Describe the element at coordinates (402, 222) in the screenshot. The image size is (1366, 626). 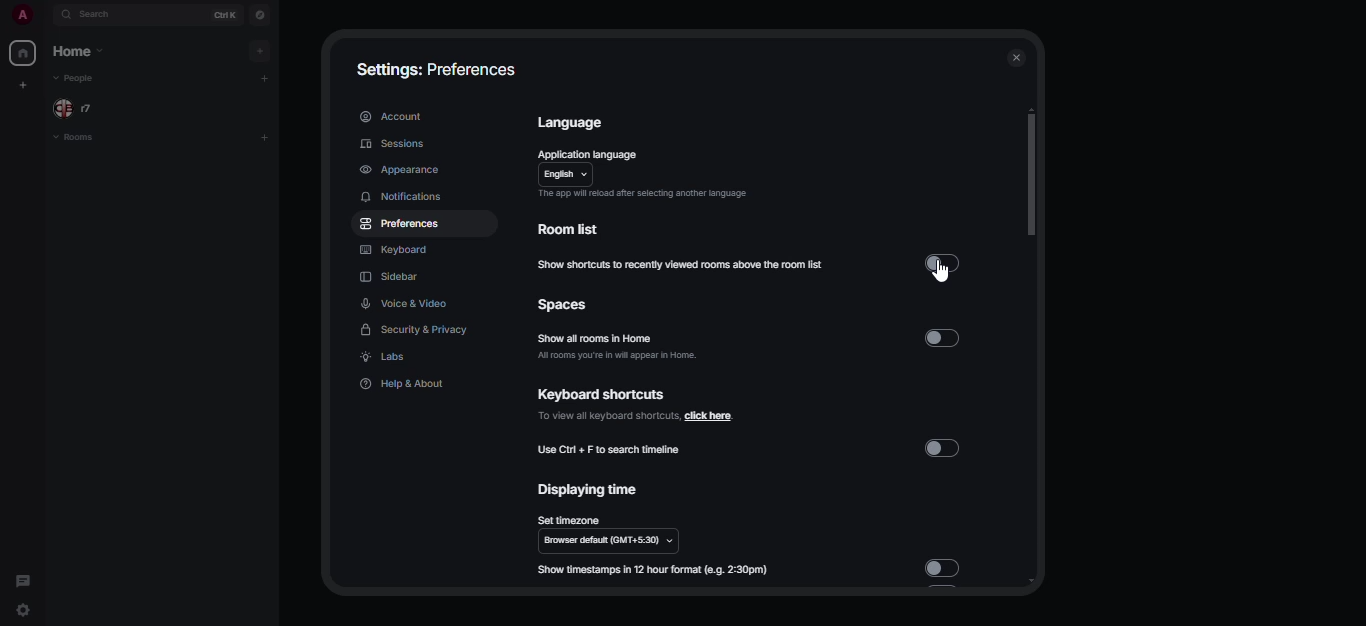
I see `preferences` at that location.